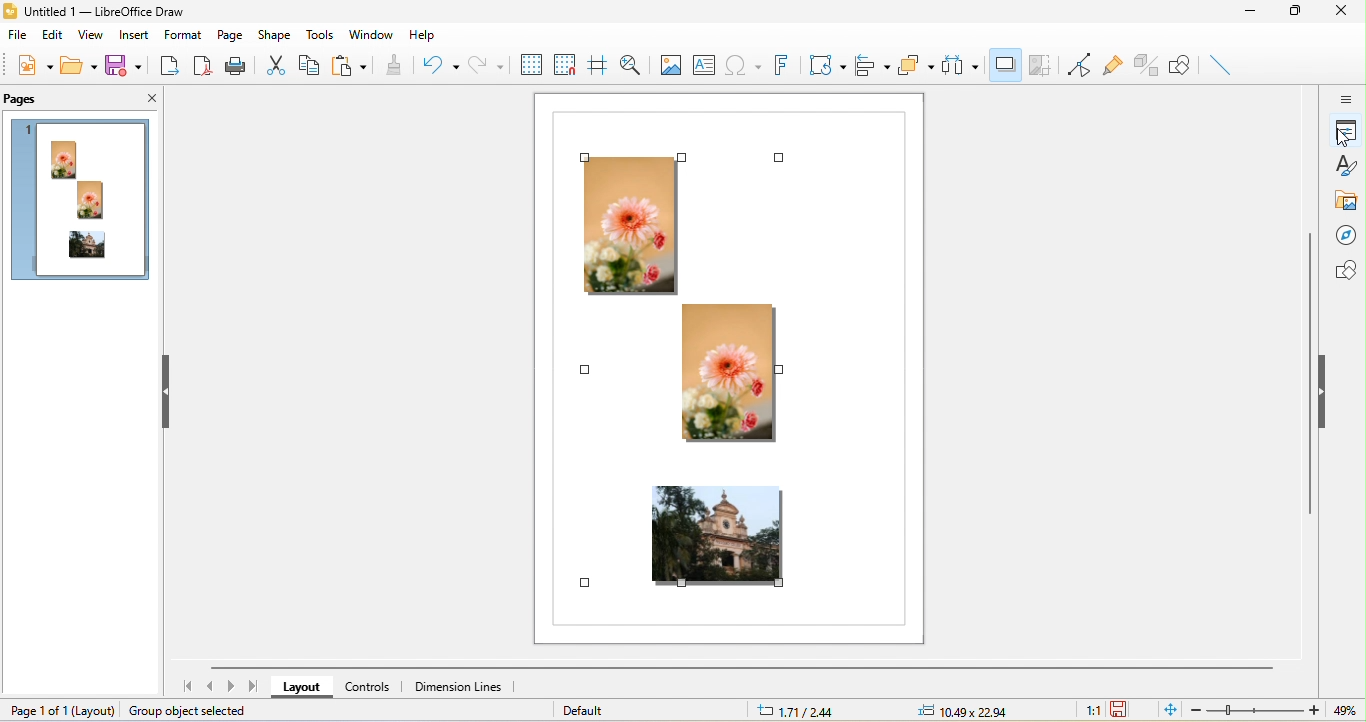 This screenshot has height=722, width=1366. Describe the element at coordinates (275, 64) in the screenshot. I see `cut` at that location.